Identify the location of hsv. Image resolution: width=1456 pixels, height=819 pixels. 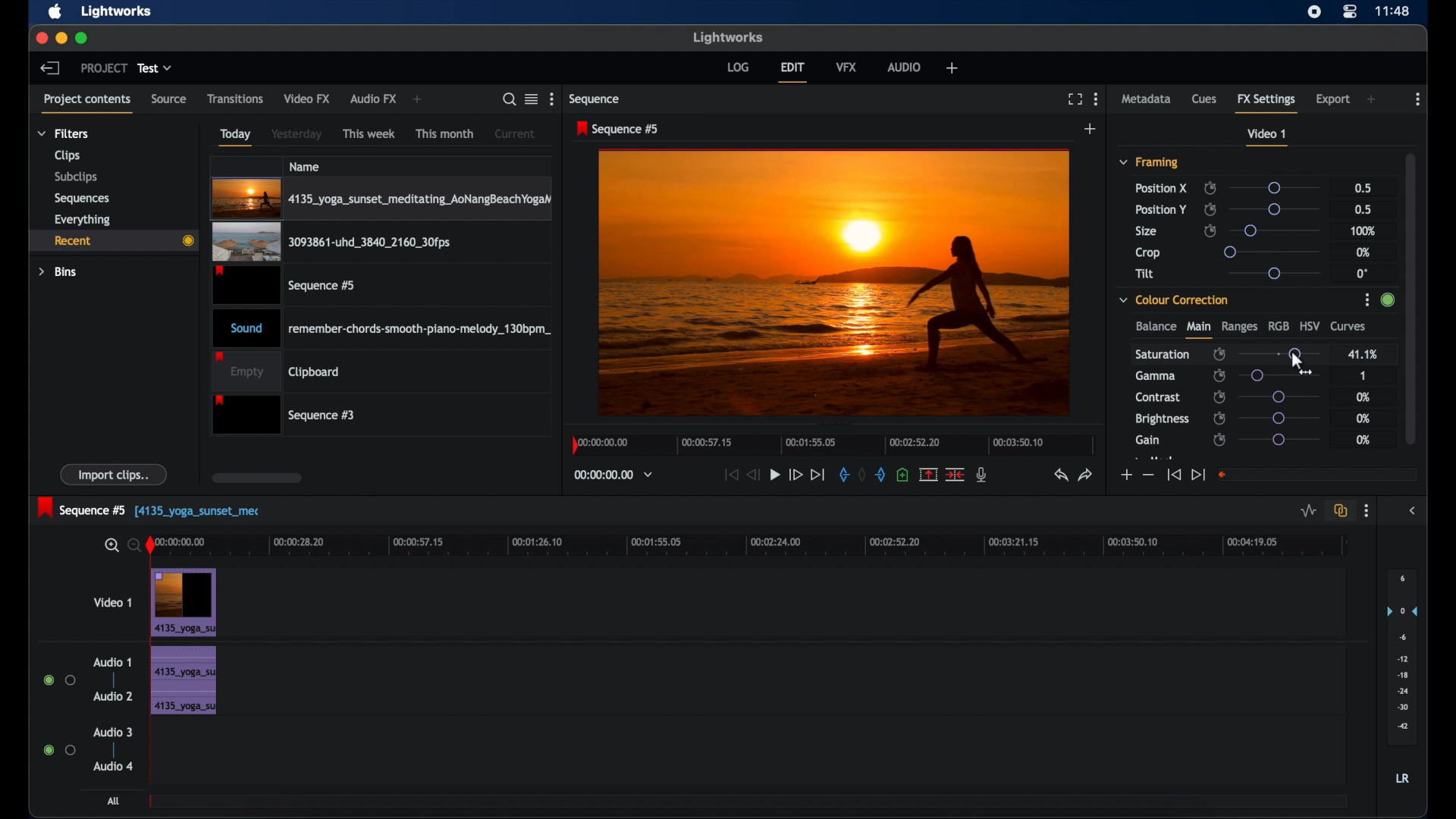
(1310, 325).